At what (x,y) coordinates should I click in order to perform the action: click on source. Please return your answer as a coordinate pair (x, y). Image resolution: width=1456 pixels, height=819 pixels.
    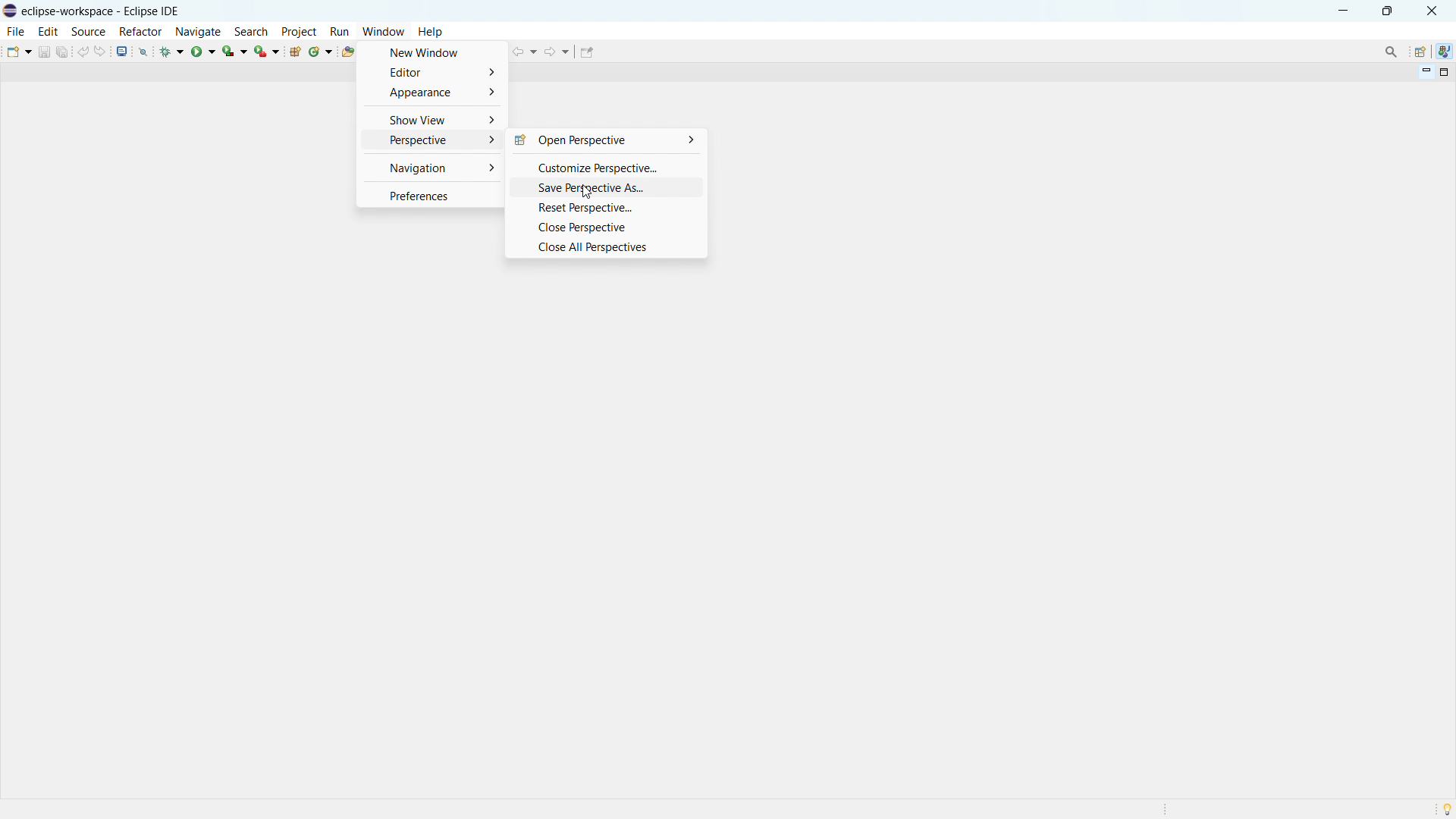
    Looking at the image, I should click on (88, 32).